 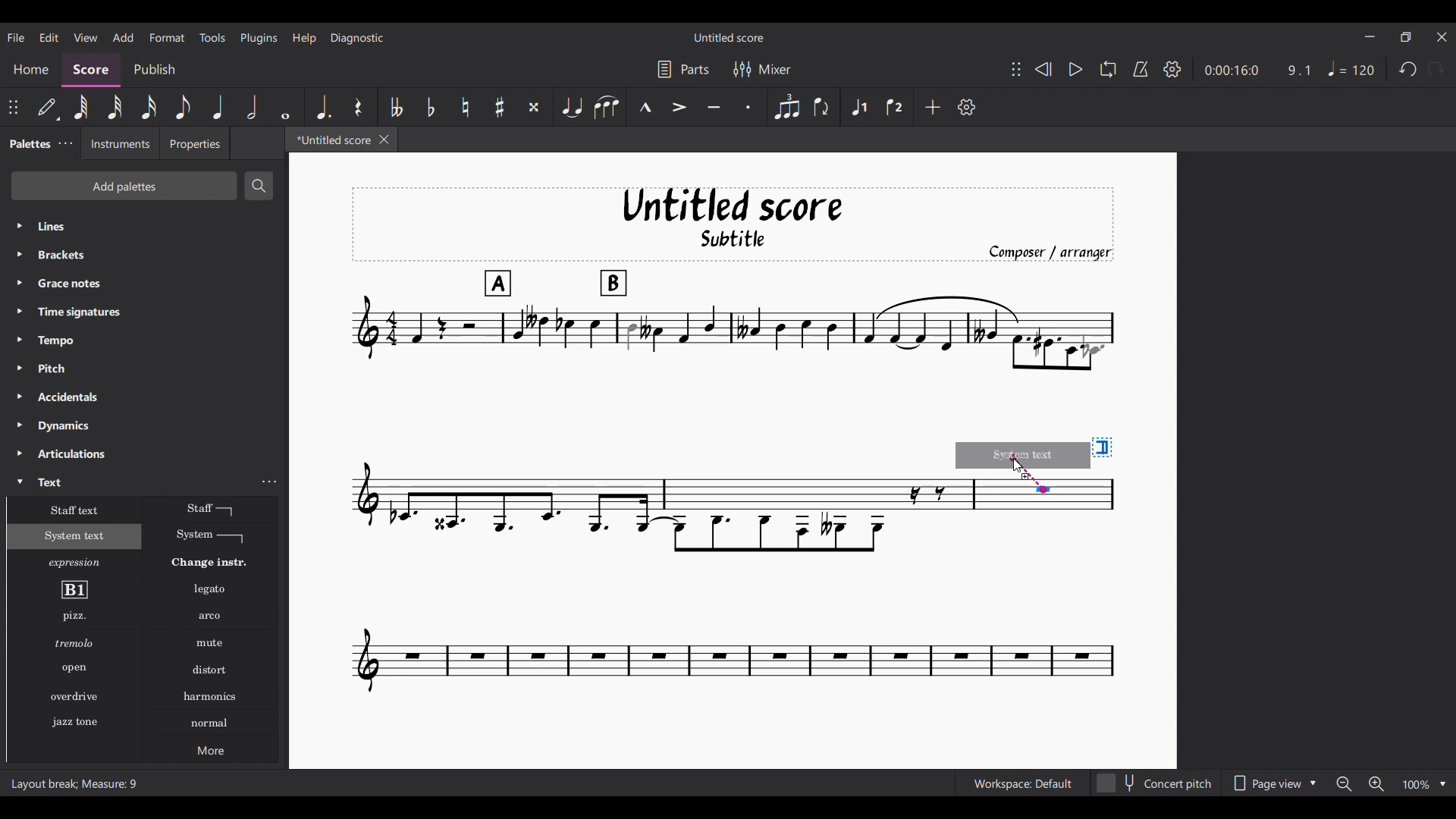 I want to click on Tuplet, so click(x=788, y=107).